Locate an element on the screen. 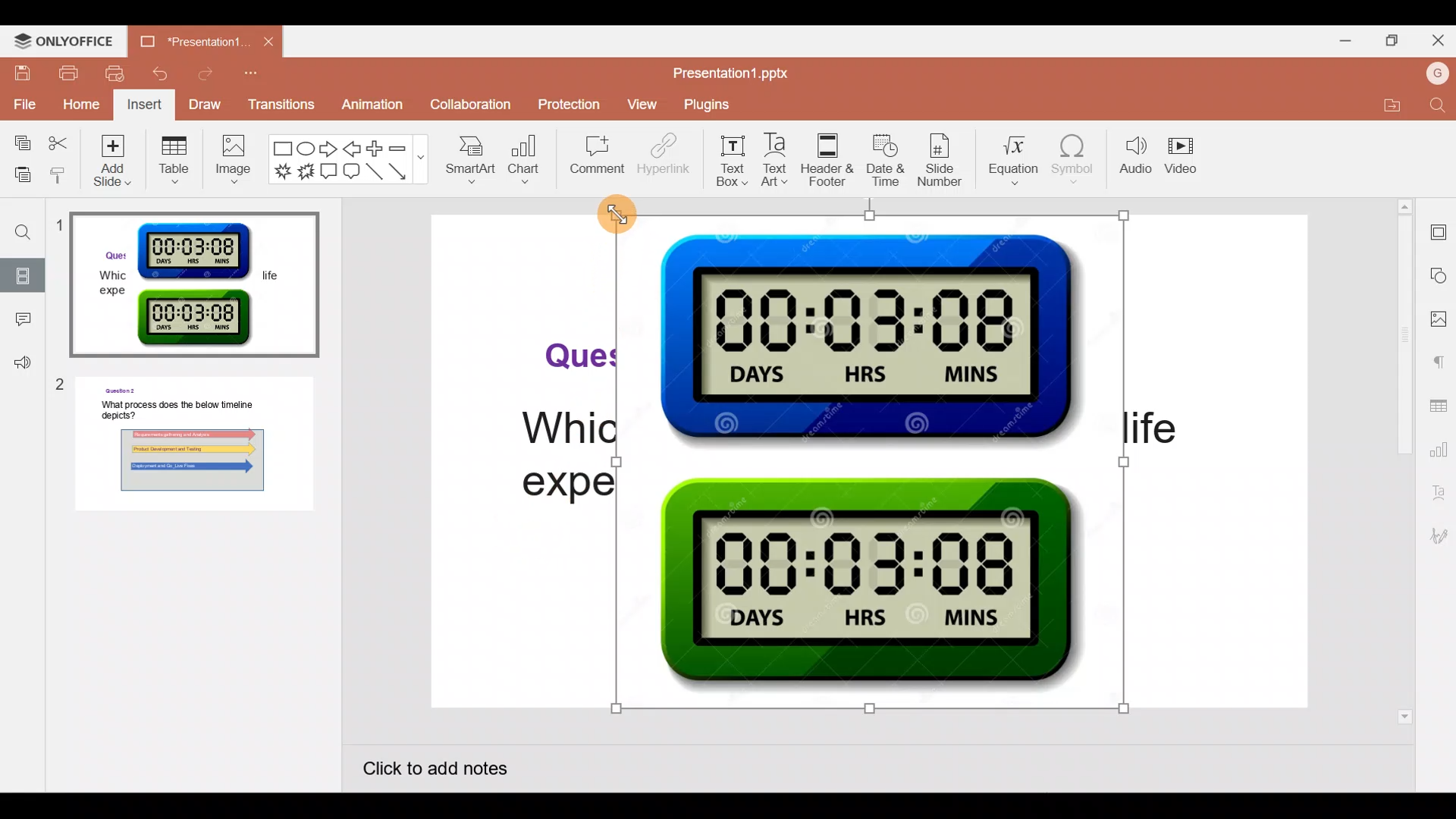 This screenshot has height=819, width=1456. Protection is located at coordinates (569, 104).